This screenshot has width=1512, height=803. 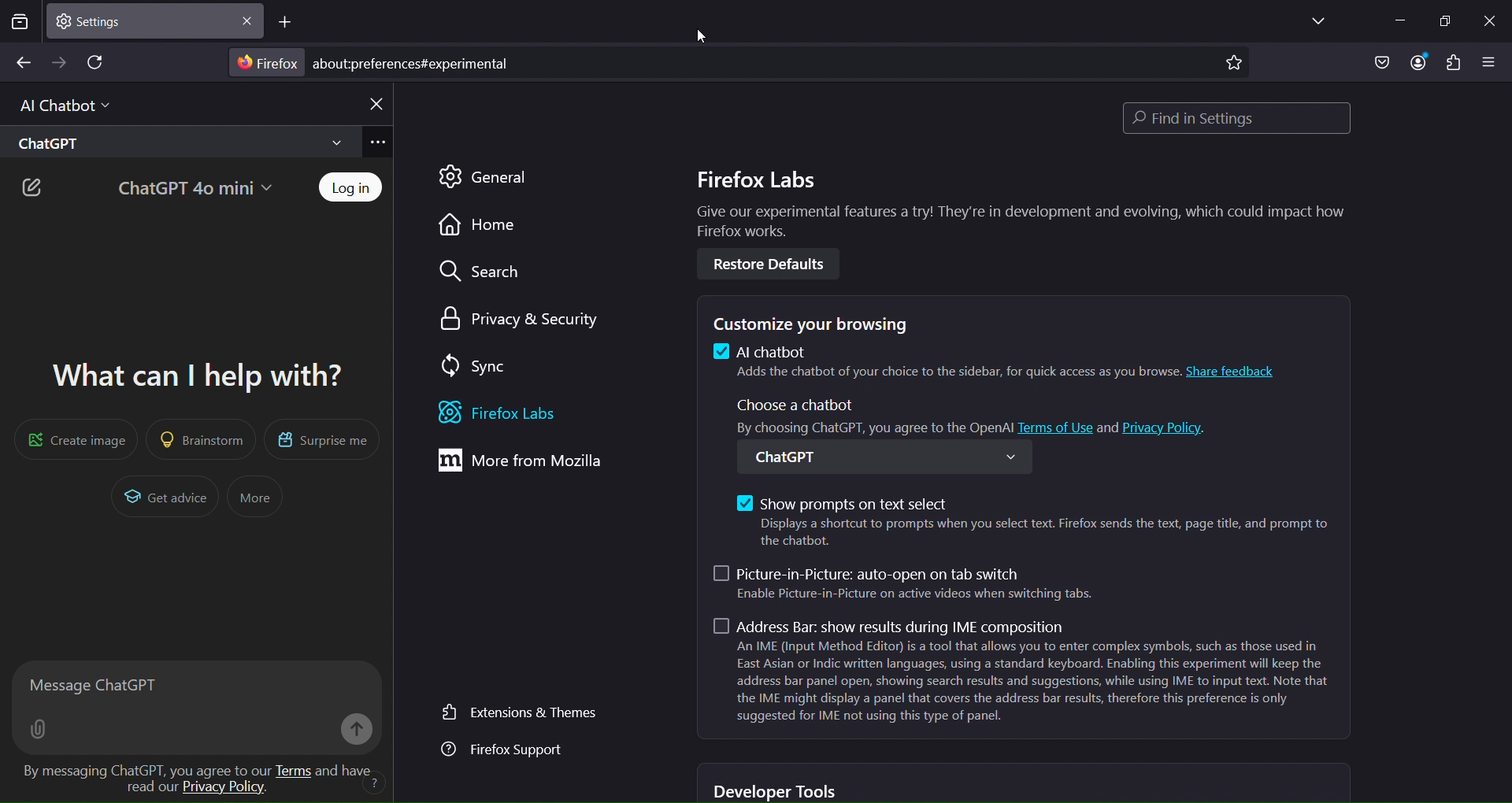 What do you see at coordinates (1488, 19) in the screenshot?
I see `close` at bounding box center [1488, 19].